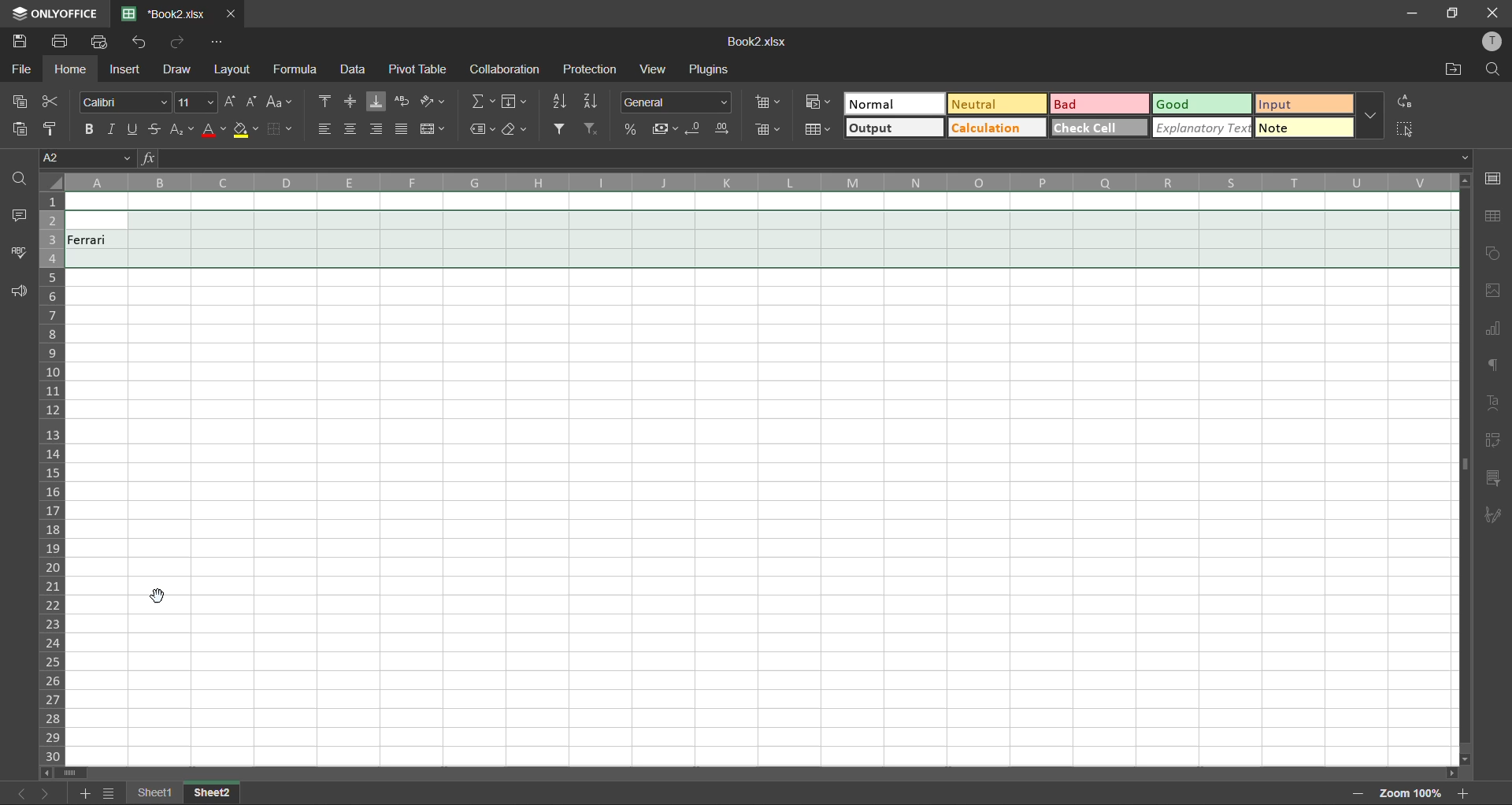 This screenshot has height=805, width=1512. I want to click on strikethrough, so click(155, 127).